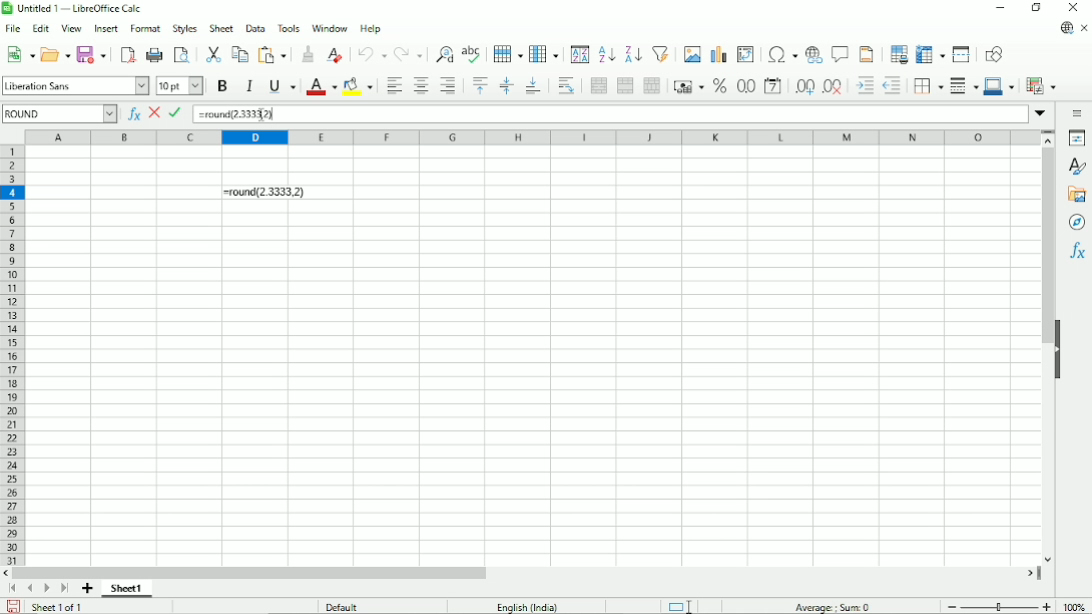 The width and height of the screenshot is (1092, 614). Describe the element at coordinates (472, 52) in the screenshot. I see `Spell check` at that location.